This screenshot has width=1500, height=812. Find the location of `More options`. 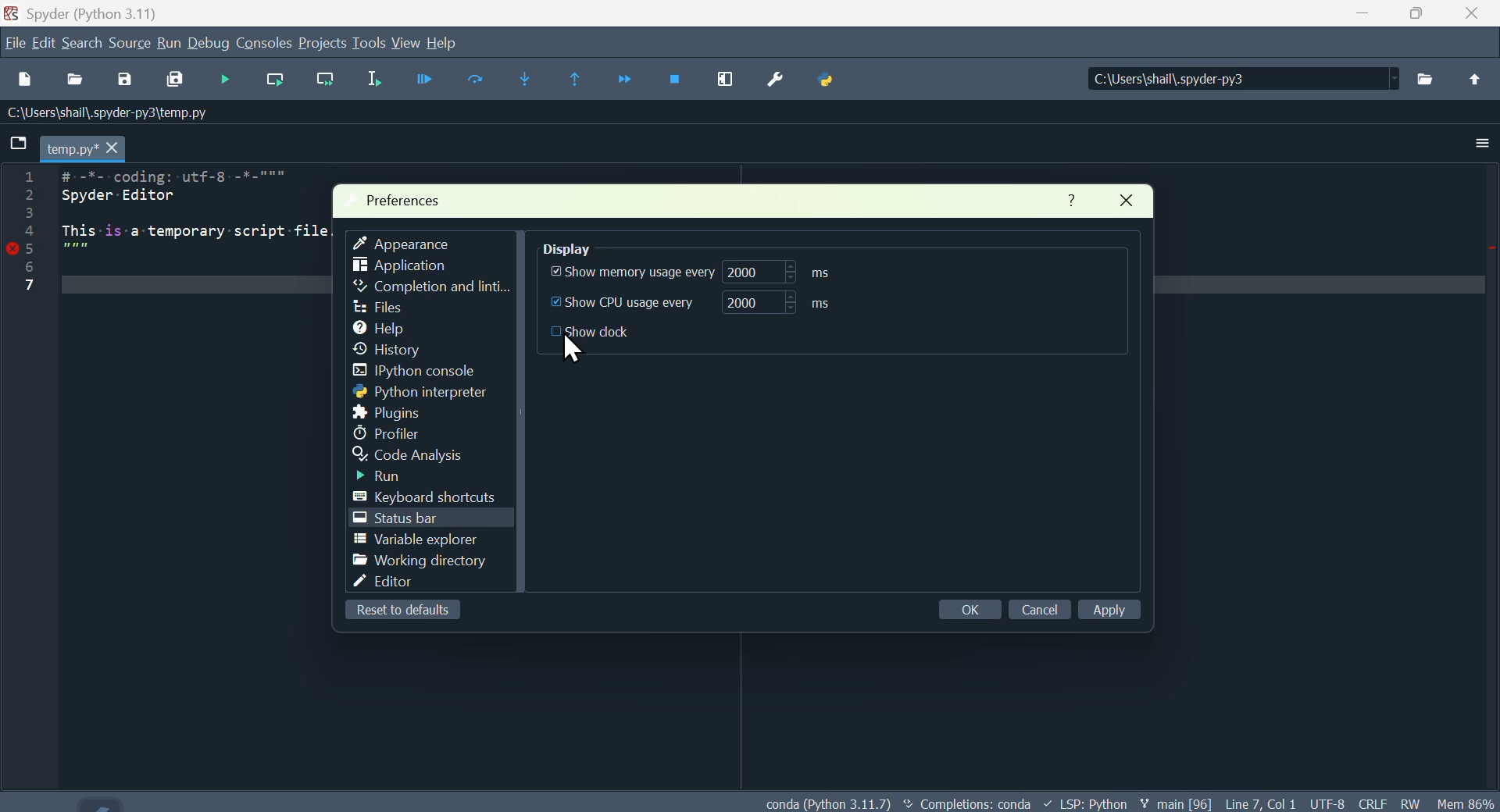

More options is located at coordinates (1485, 140).